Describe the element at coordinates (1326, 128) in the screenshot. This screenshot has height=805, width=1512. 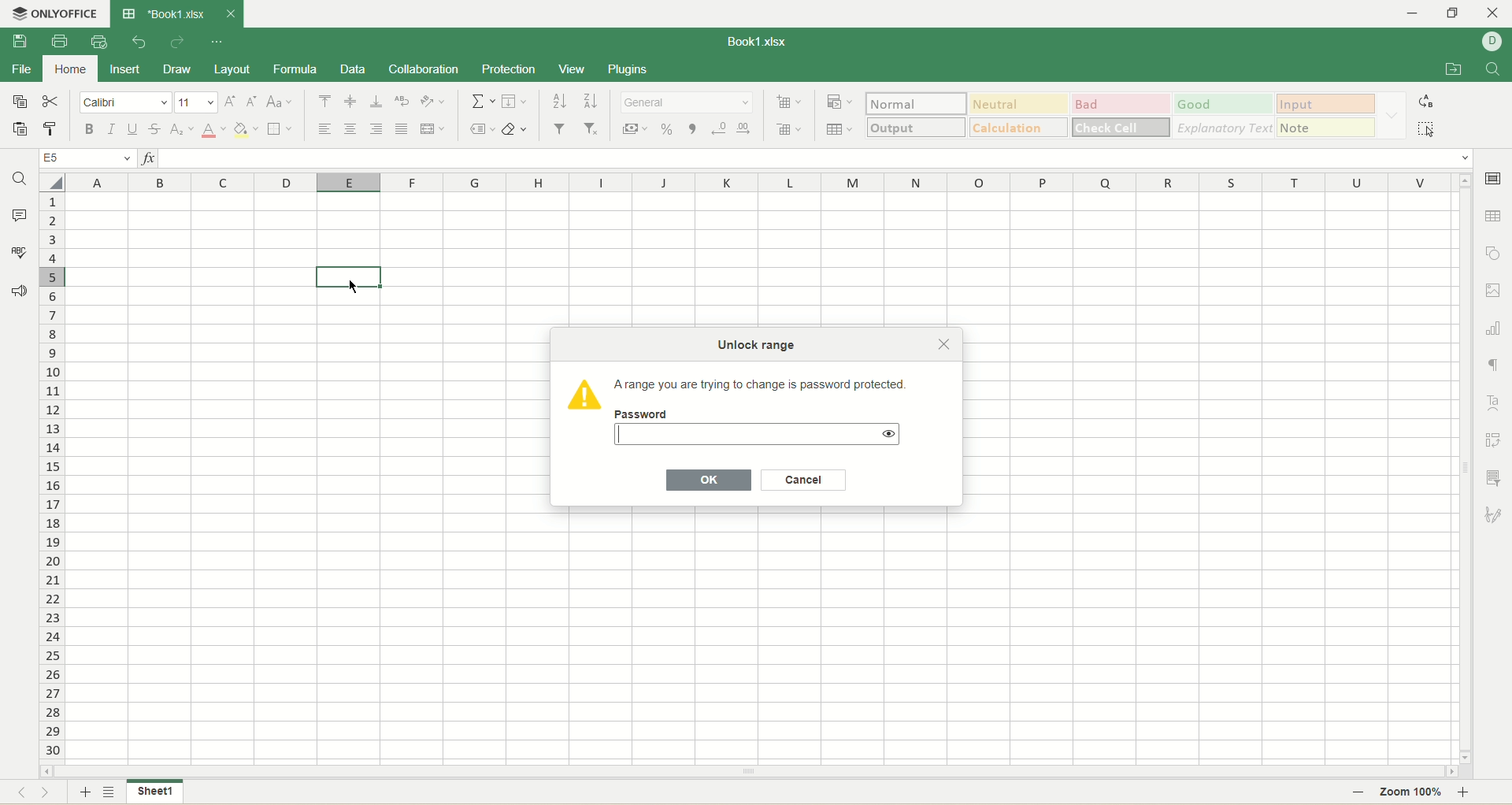
I see `note` at that location.